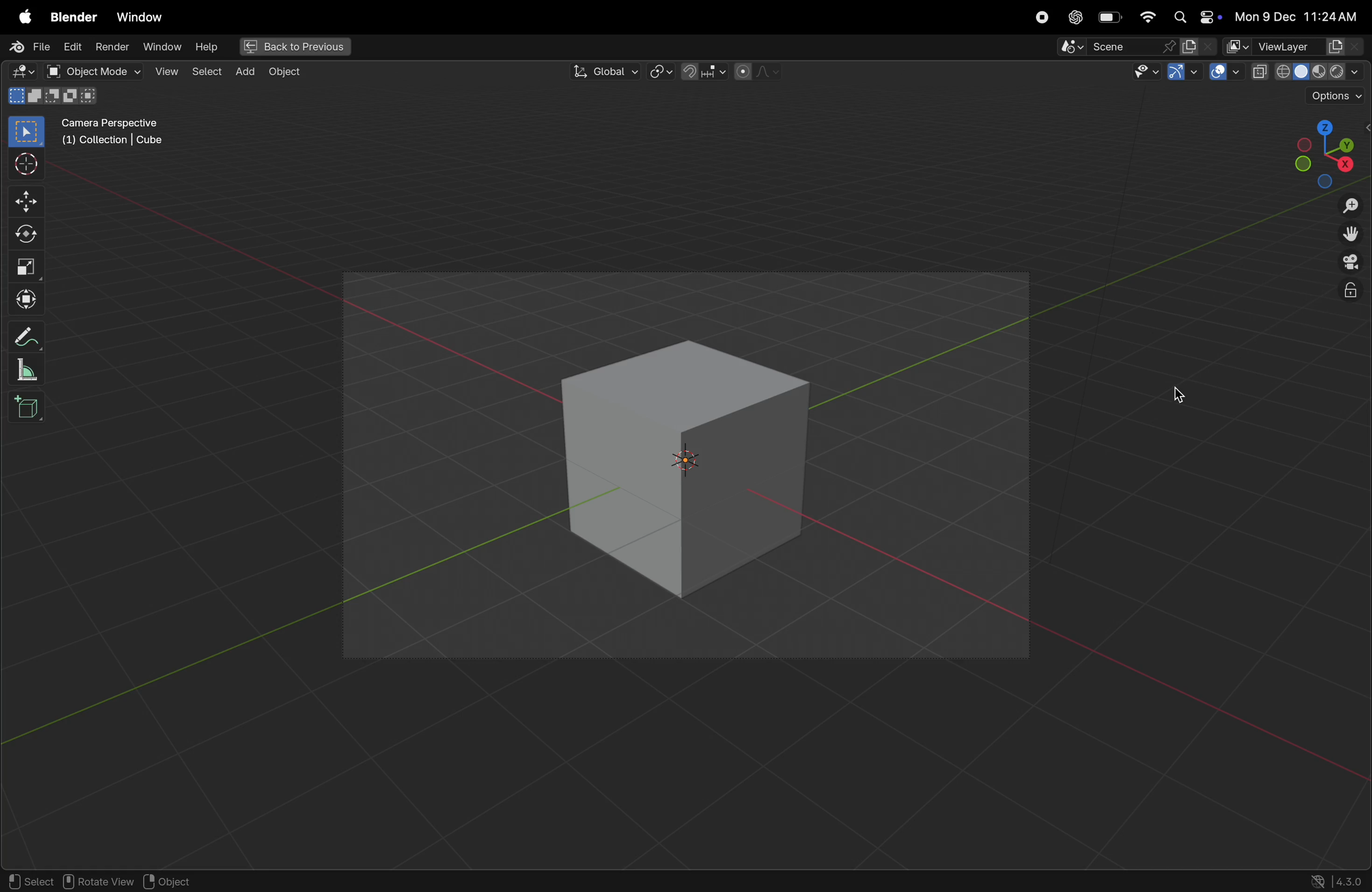 Image resolution: width=1372 pixels, height=892 pixels. I want to click on version, so click(1335, 879).